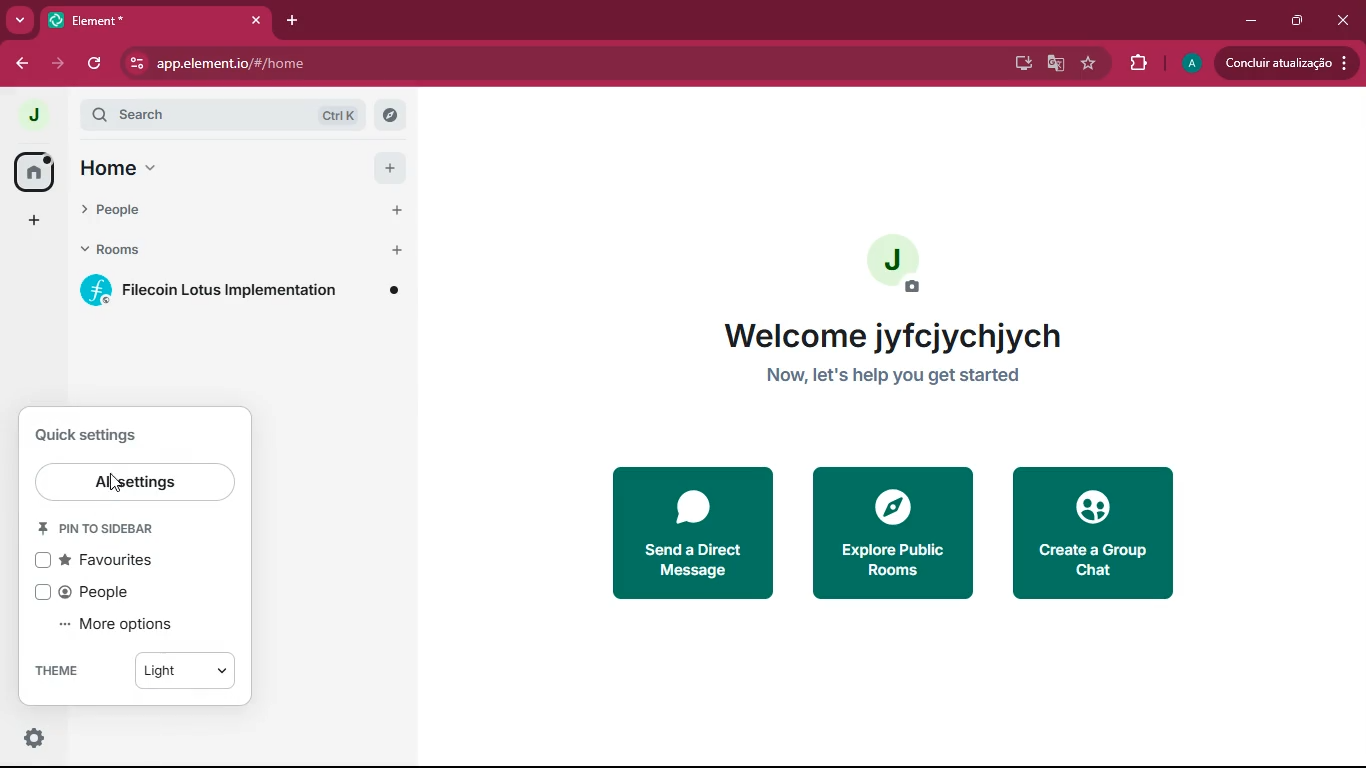  What do you see at coordinates (390, 167) in the screenshot?
I see `add` at bounding box center [390, 167].